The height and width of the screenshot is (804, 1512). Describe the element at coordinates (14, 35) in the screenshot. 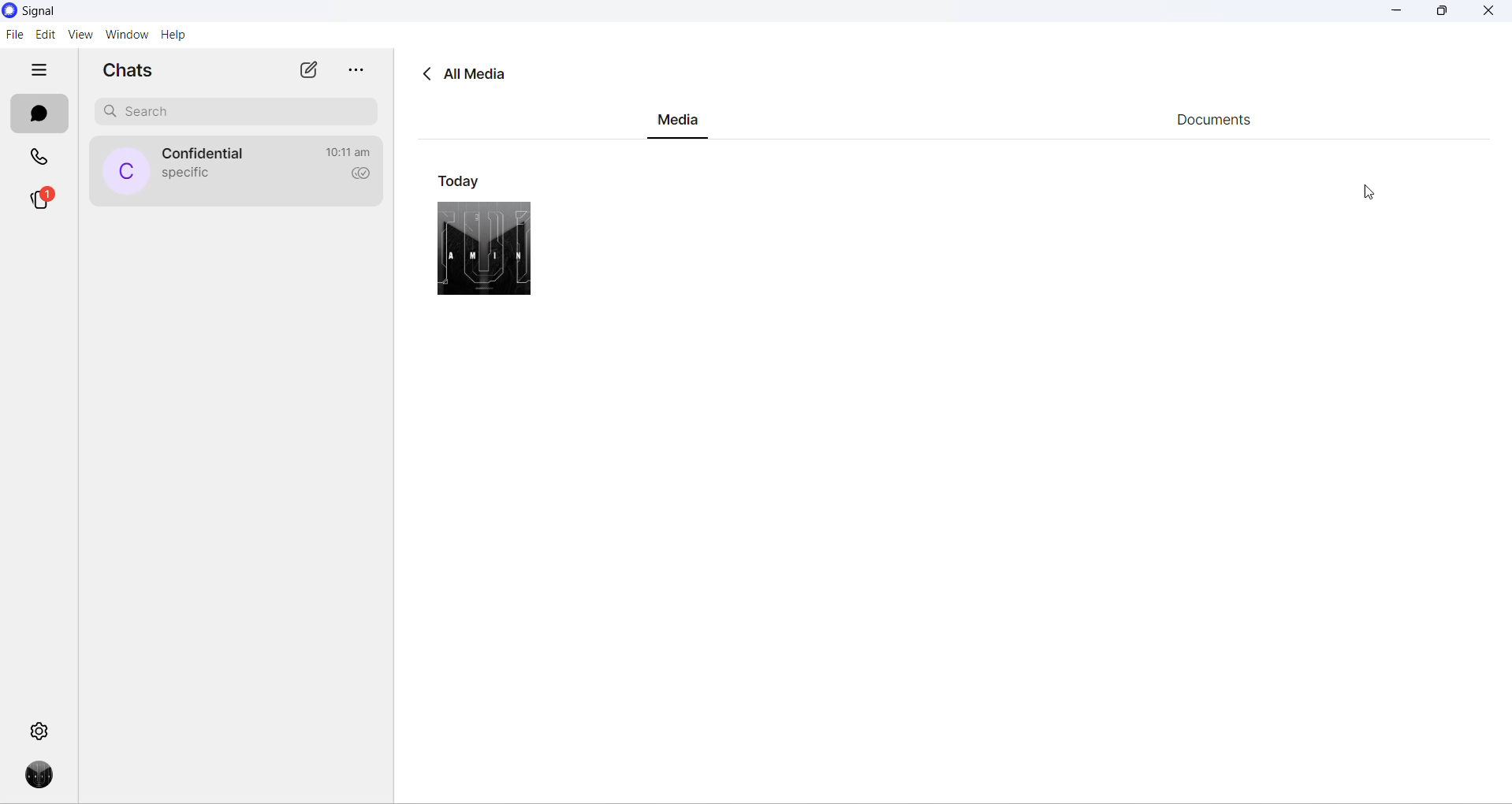

I see `file` at that location.